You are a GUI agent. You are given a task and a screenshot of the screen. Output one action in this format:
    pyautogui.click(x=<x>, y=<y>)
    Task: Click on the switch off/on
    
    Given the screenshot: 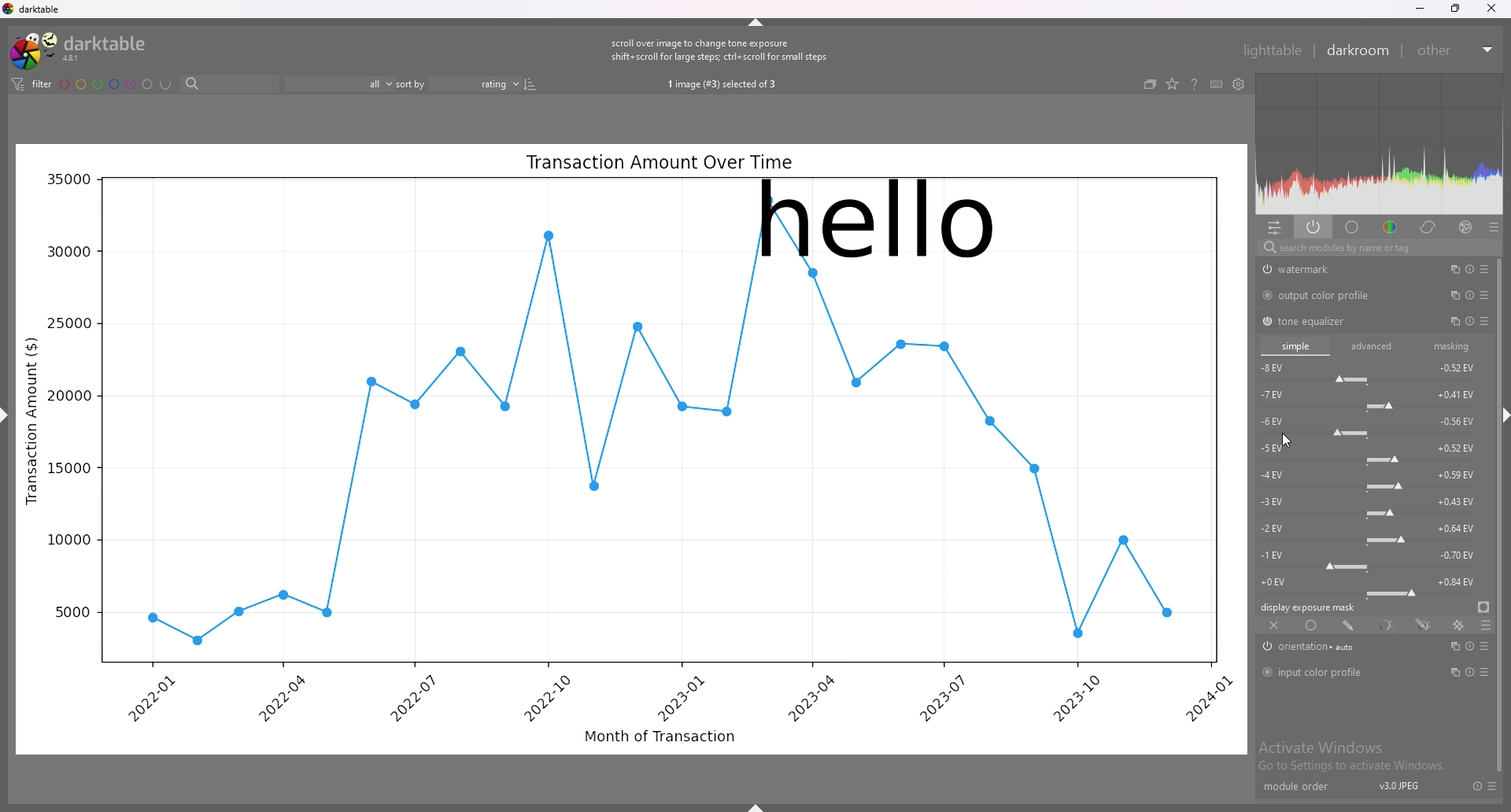 What is the action you would take?
    pyautogui.click(x=1265, y=321)
    